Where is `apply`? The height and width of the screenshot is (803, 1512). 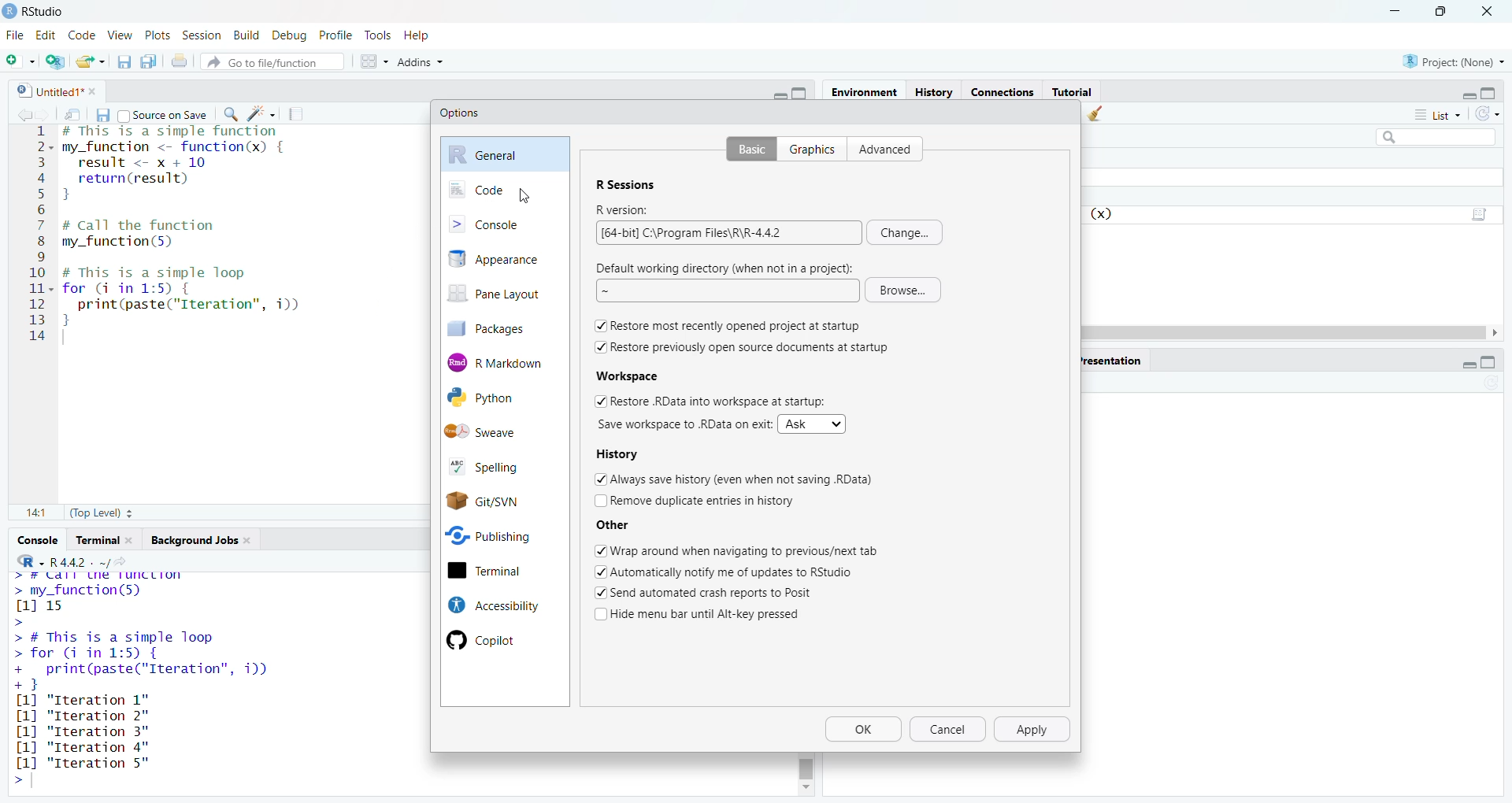
apply is located at coordinates (1035, 730).